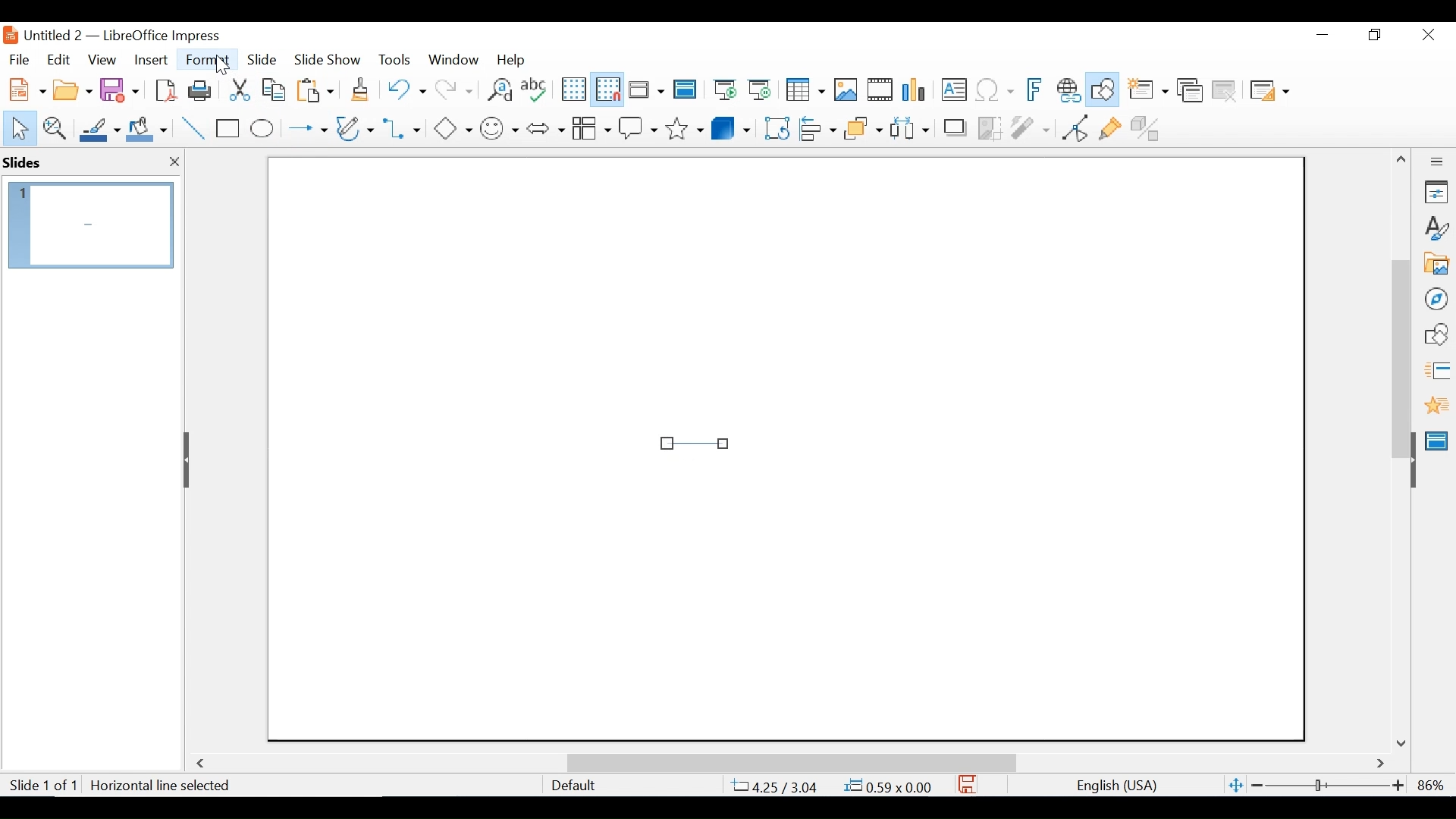 This screenshot has width=1456, height=819. I want to click on LibreOffice Desktop Icon, so click(9, 35).